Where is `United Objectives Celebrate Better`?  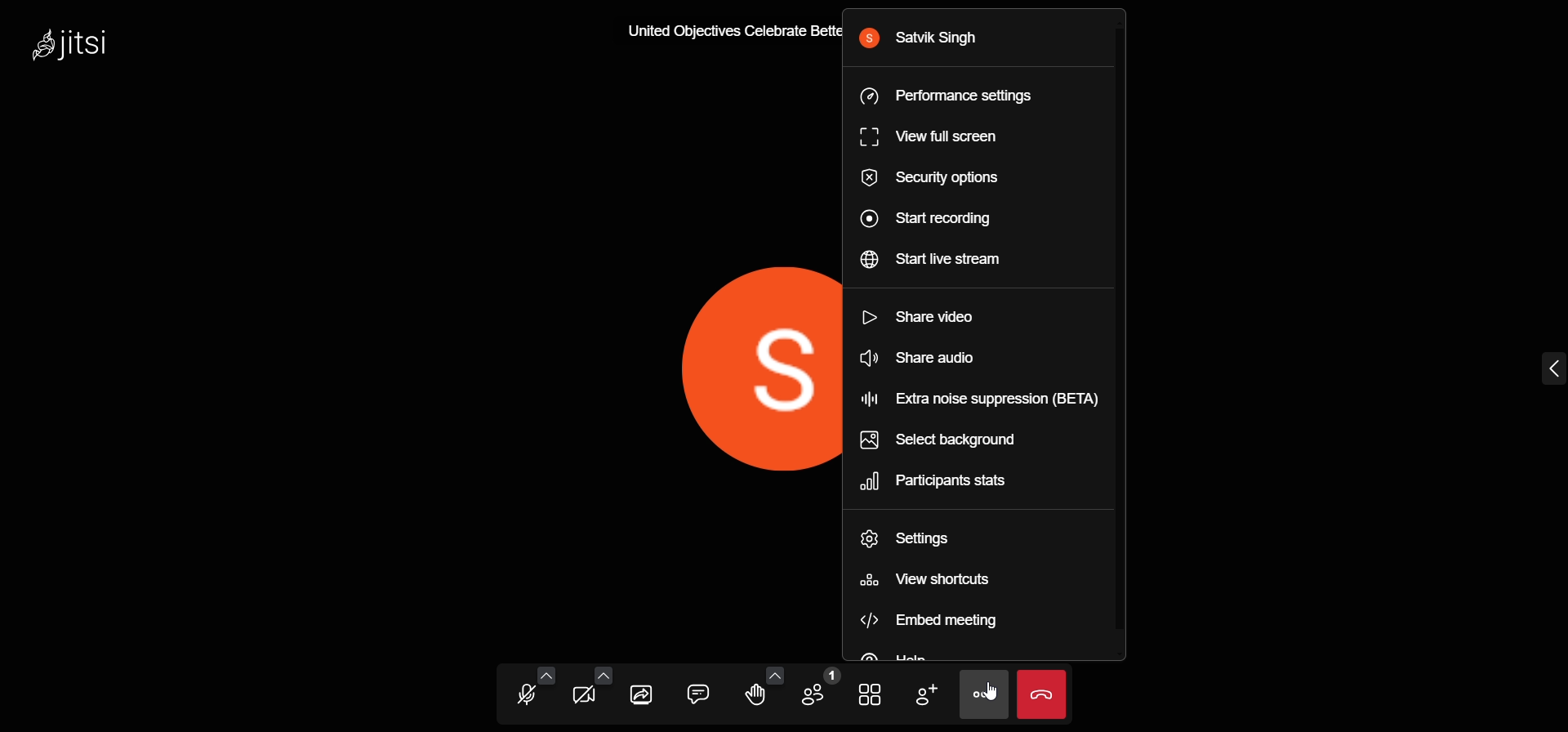
United Objectives Celebrate Better is located at coordinates (730, 34).